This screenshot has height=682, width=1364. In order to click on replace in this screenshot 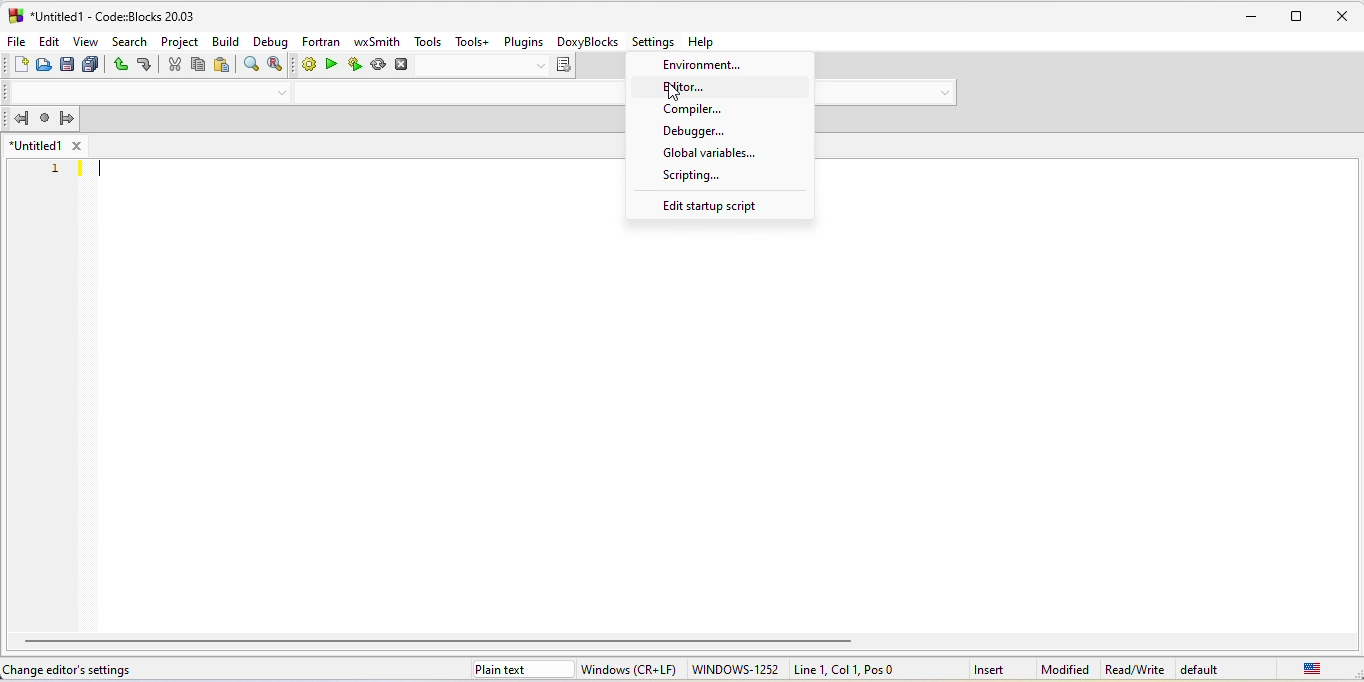, I will do `click(274, 63)`.